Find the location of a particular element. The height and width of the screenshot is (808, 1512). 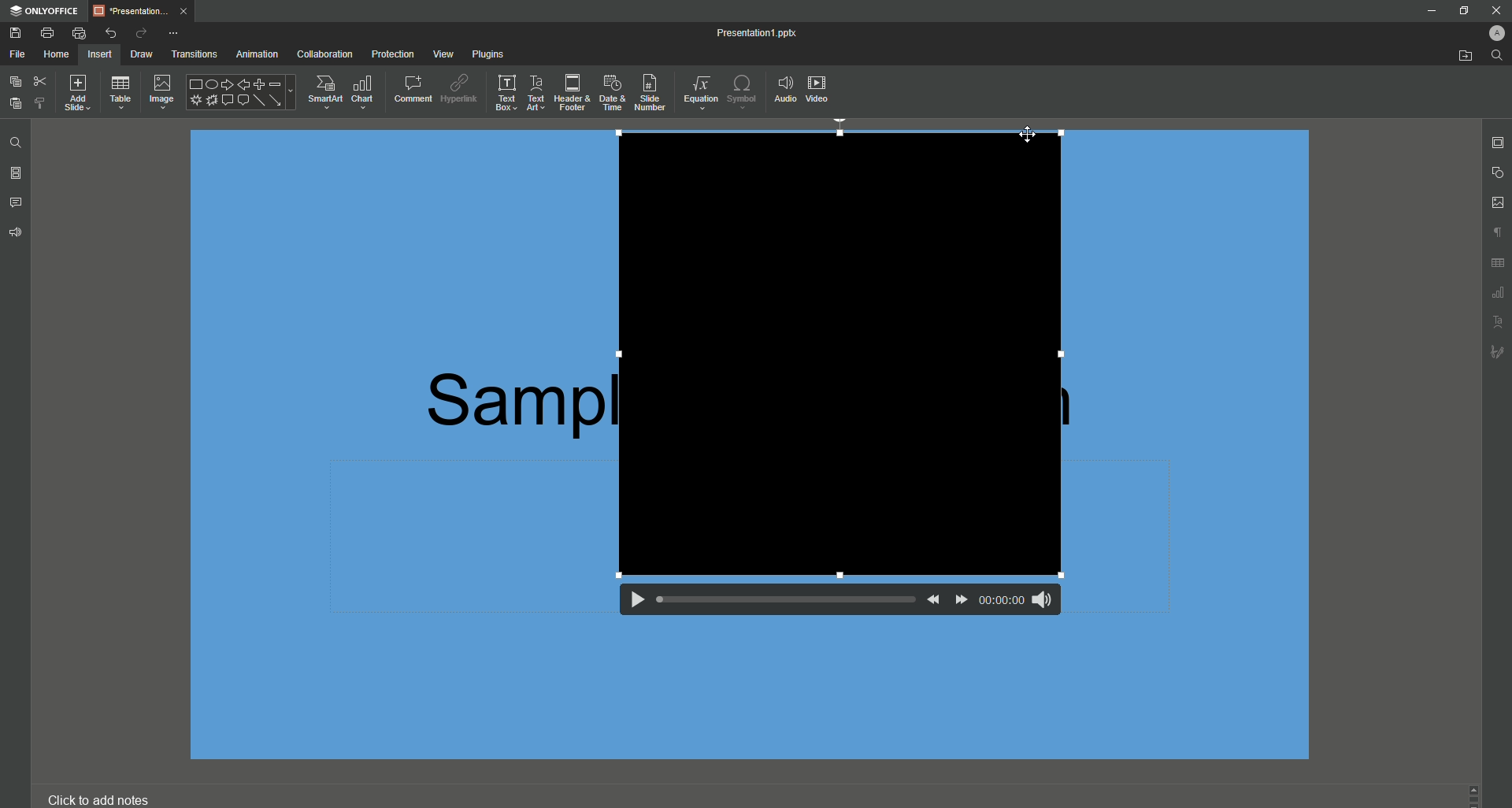

Slide Number is located at coordinates (653, 94).